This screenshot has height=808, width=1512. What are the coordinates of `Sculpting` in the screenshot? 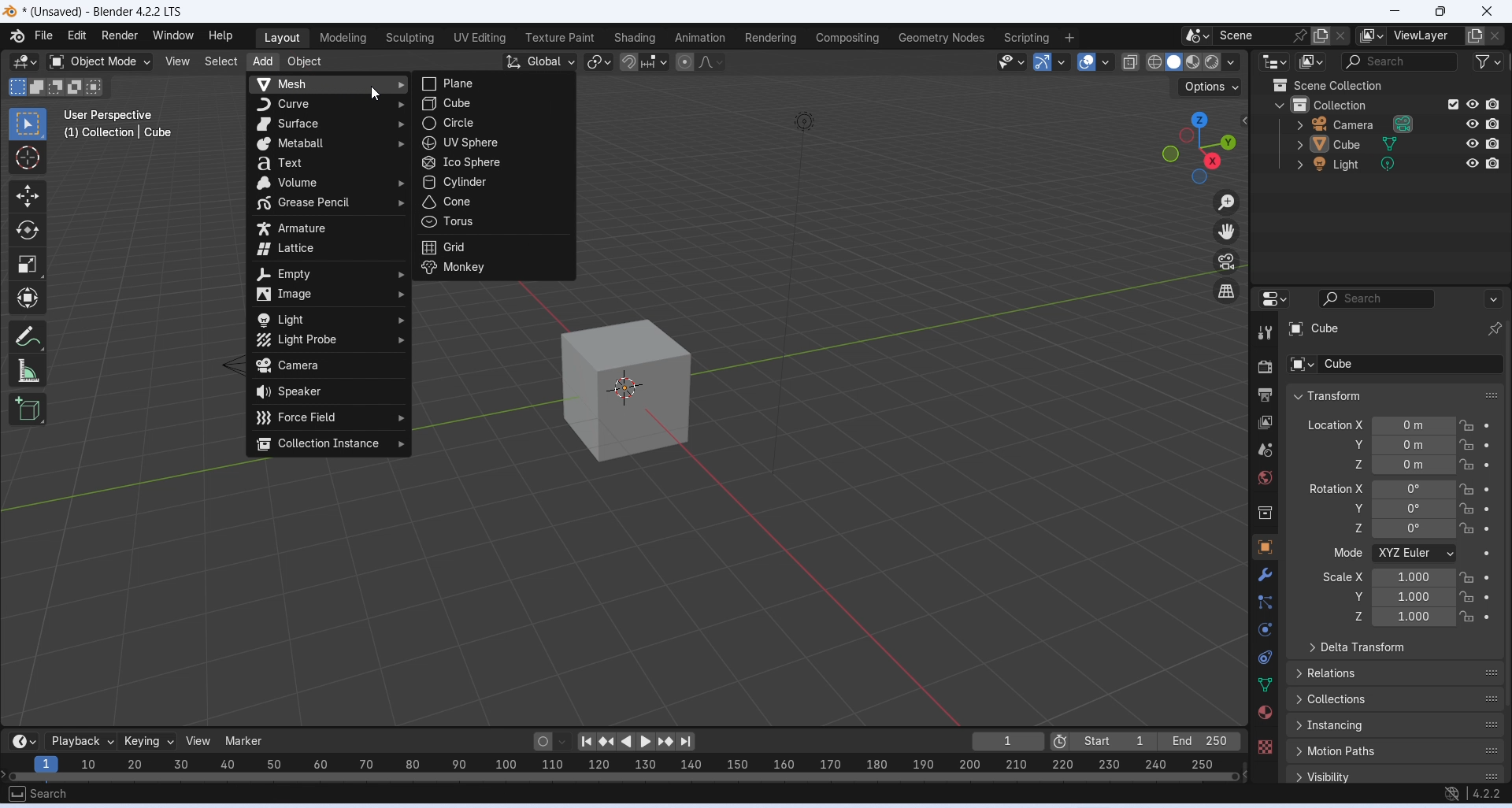 It's located at (409, 39).